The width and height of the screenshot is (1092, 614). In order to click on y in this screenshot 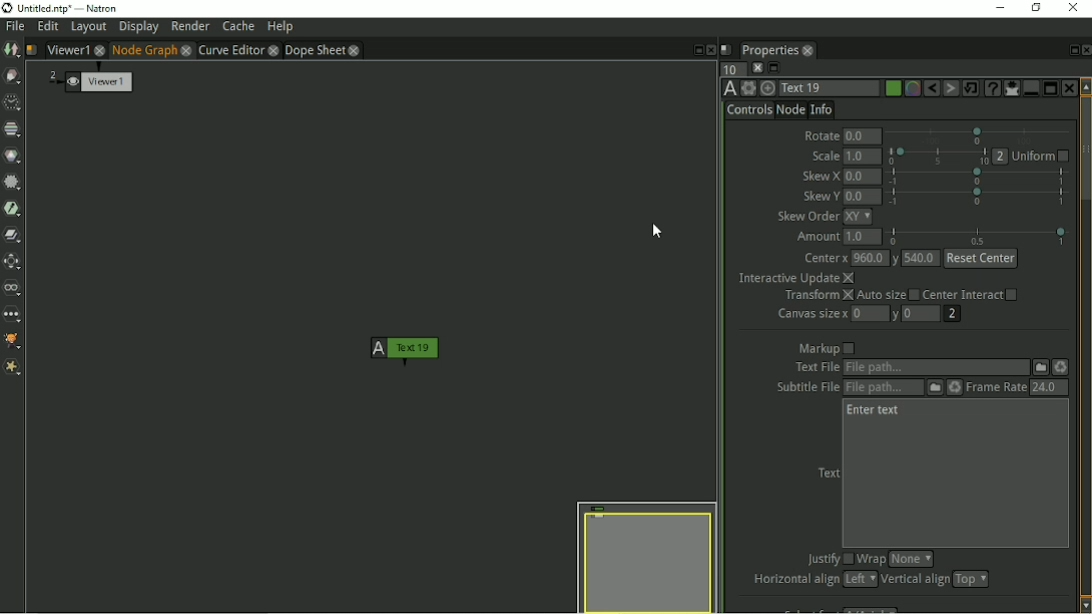, I will do `click(893, 315)`.